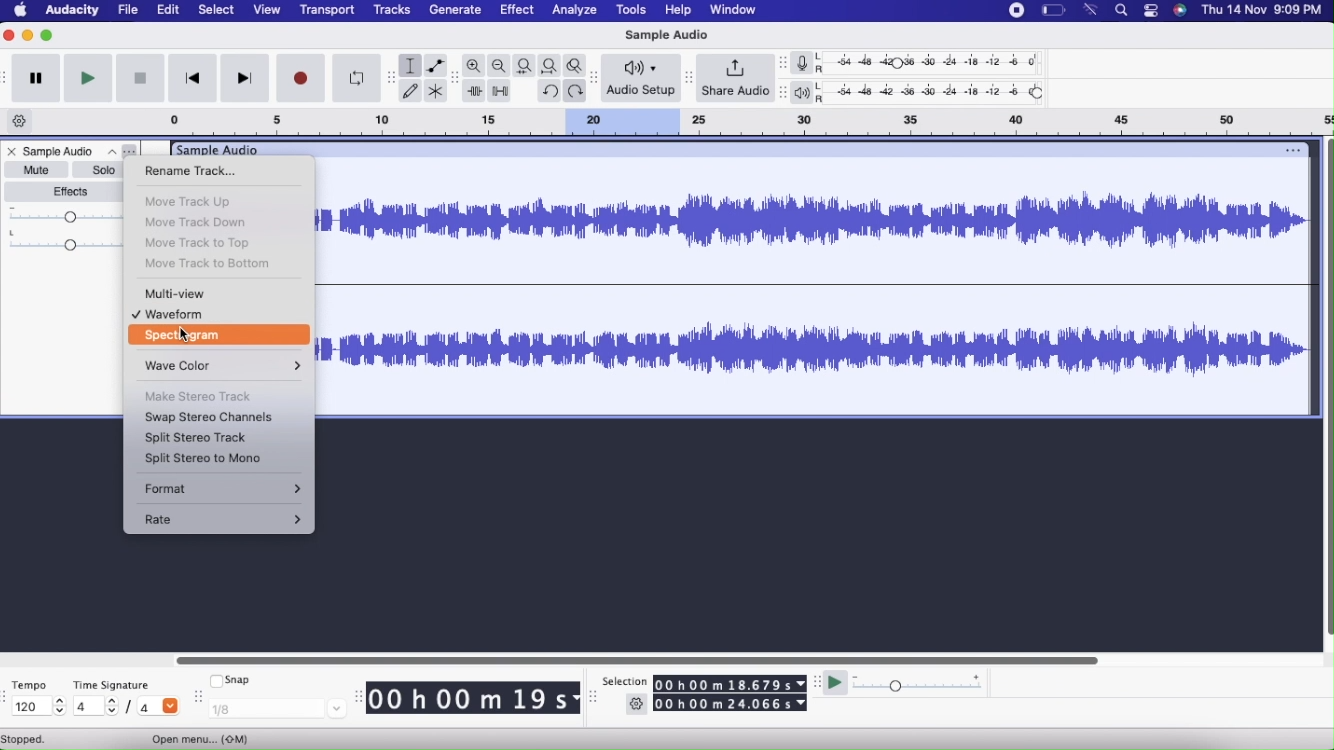  Describe the element at coordinates (201, 243) in the screenshot. I see `Move Track to Top` at that location.